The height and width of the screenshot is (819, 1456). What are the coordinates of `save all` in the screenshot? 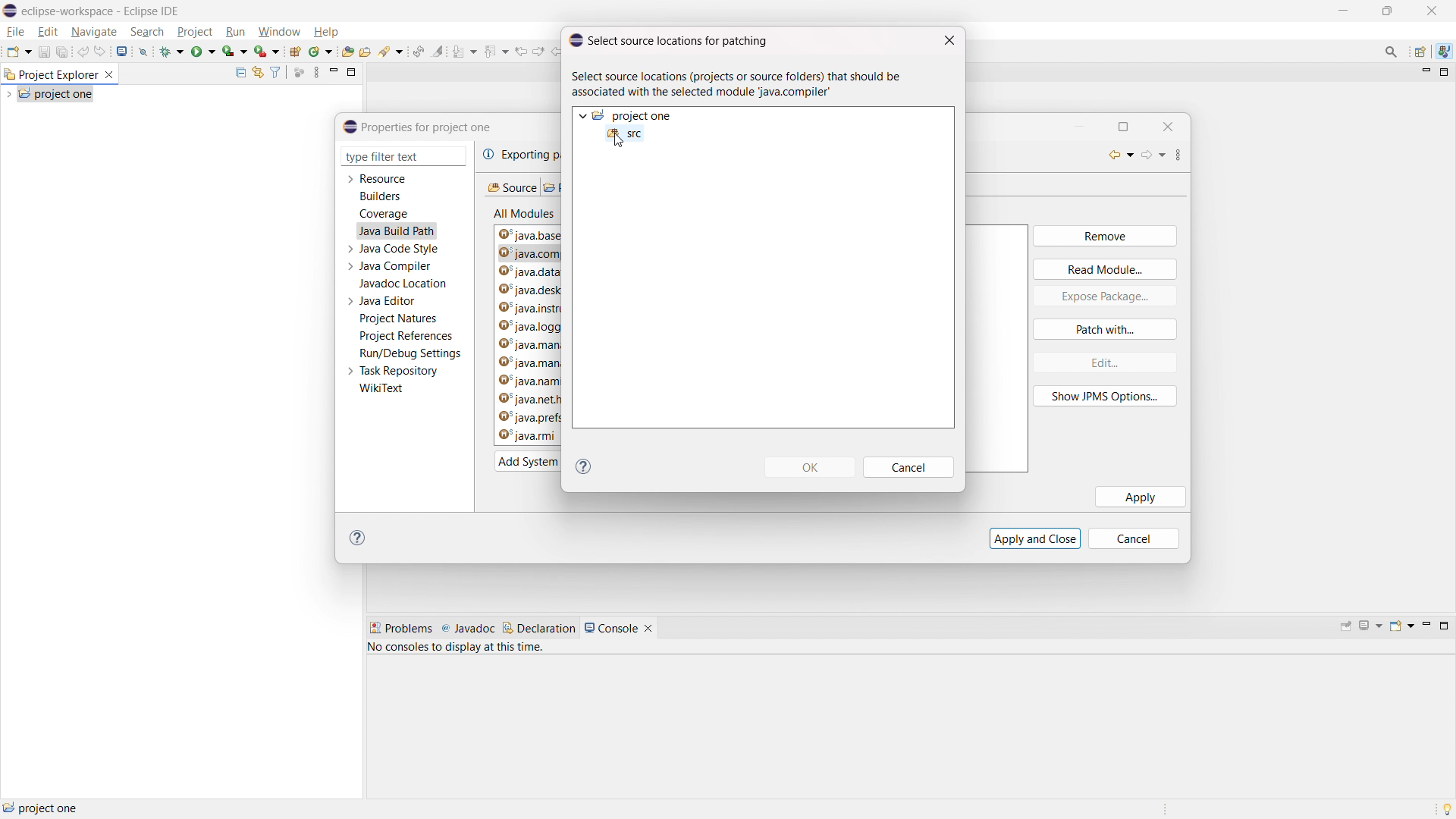 It's located at (63, 52).